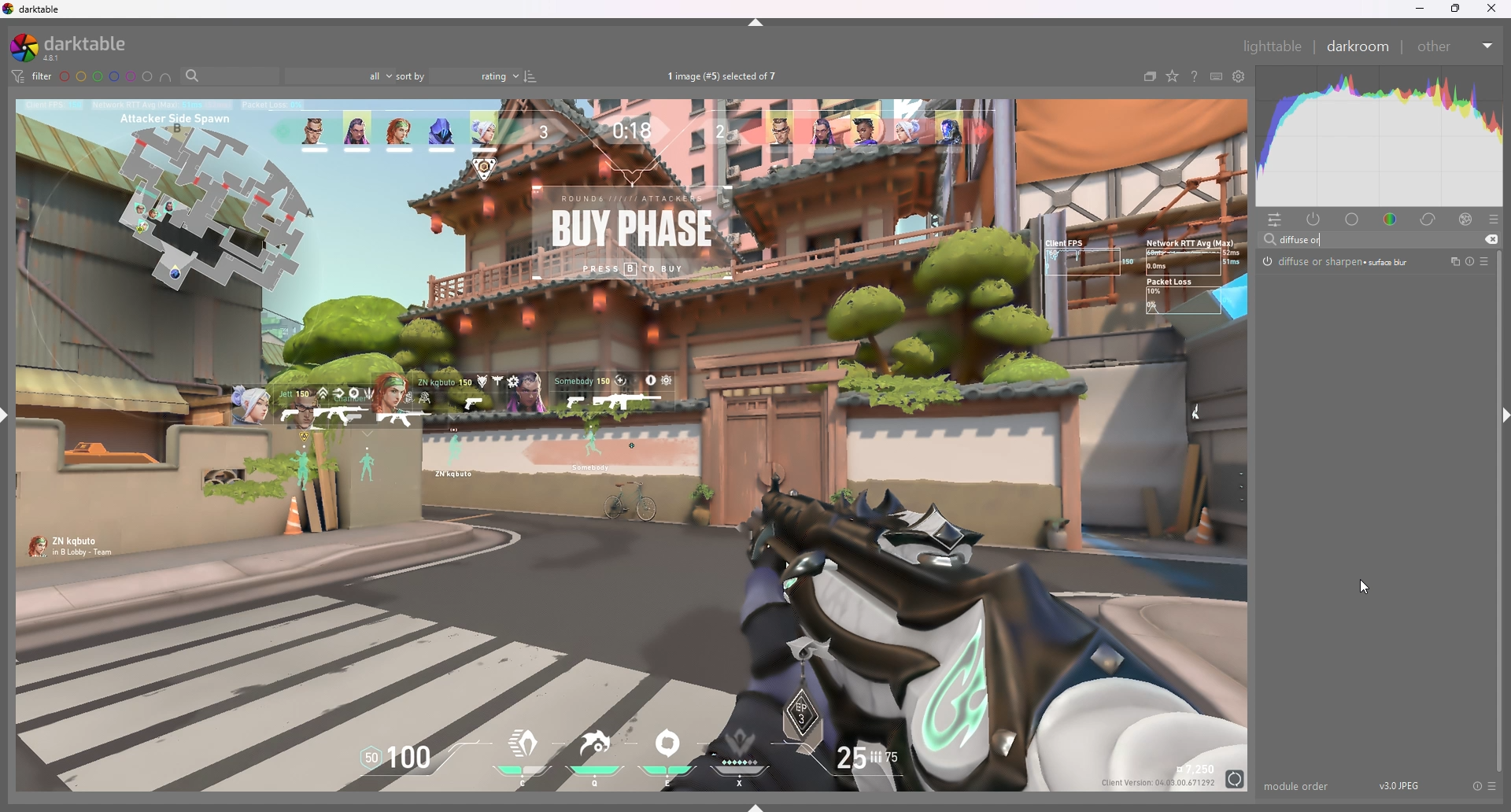 The width and height of the screenshot is (1511, 812). What do you see at coordinates (229, 76) in the screenshot?
I see `filter by text` at bounding box center [229, 76].